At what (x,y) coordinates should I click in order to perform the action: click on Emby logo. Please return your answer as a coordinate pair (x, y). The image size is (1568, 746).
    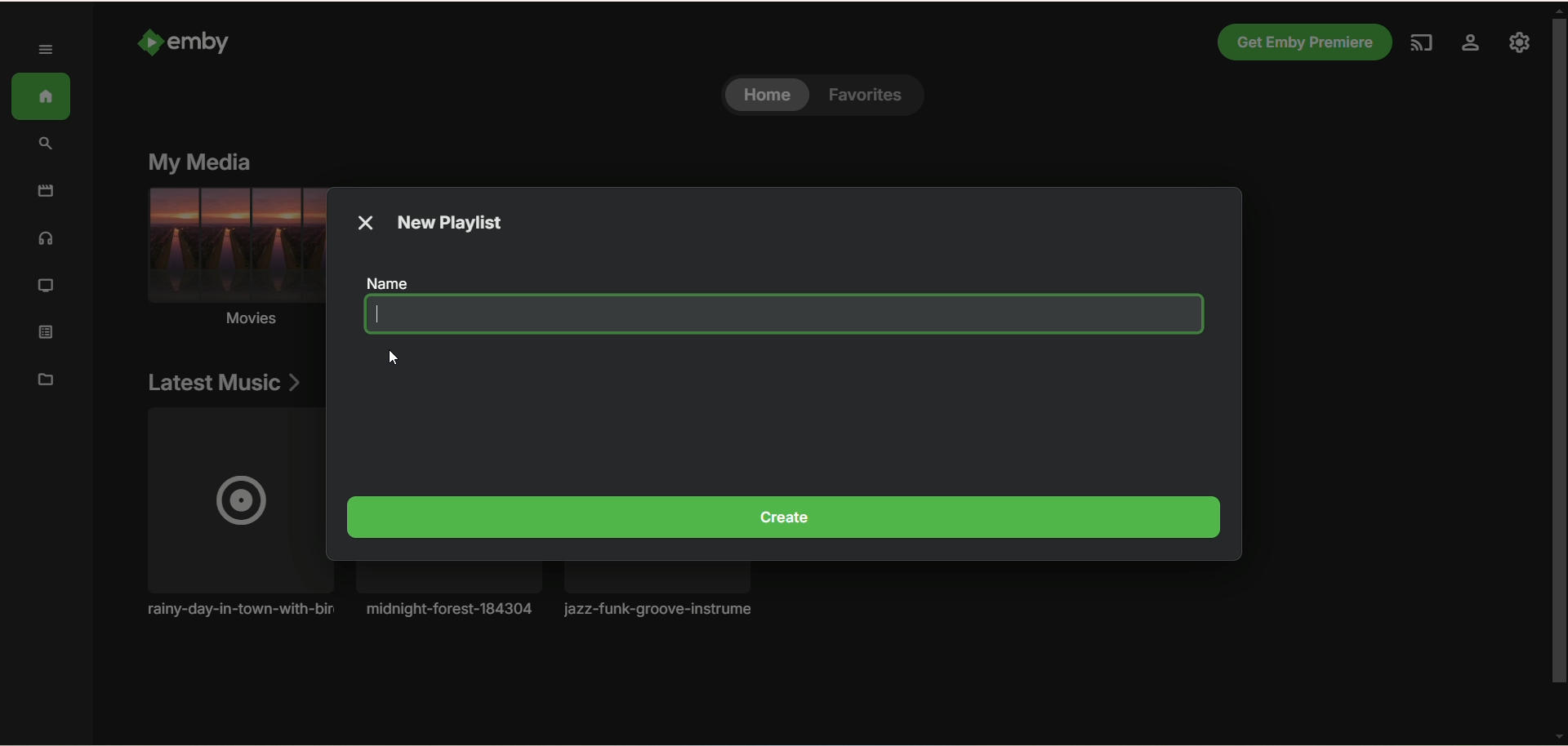
    Looking at the image, I should click on (149, 42).